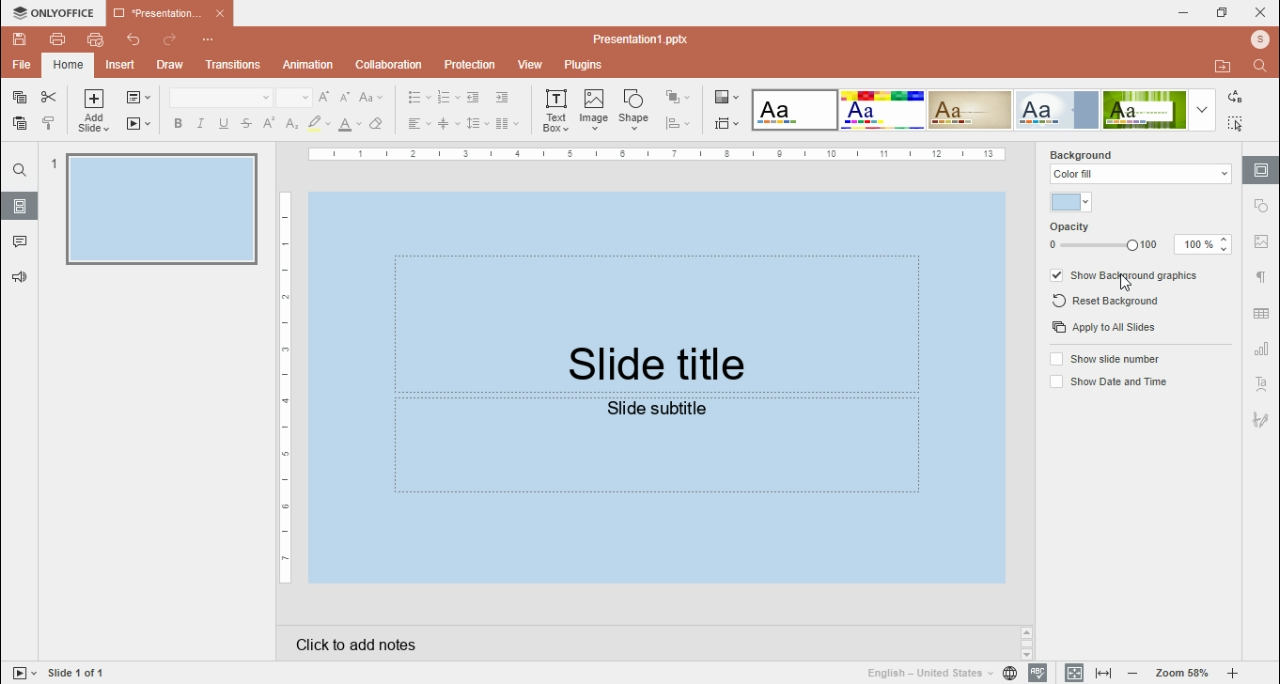 This screenshot has height=684, width=1280. Describe the element at coordinates (1137, 238) in the screenshot. I see `opacity settings` at that location.